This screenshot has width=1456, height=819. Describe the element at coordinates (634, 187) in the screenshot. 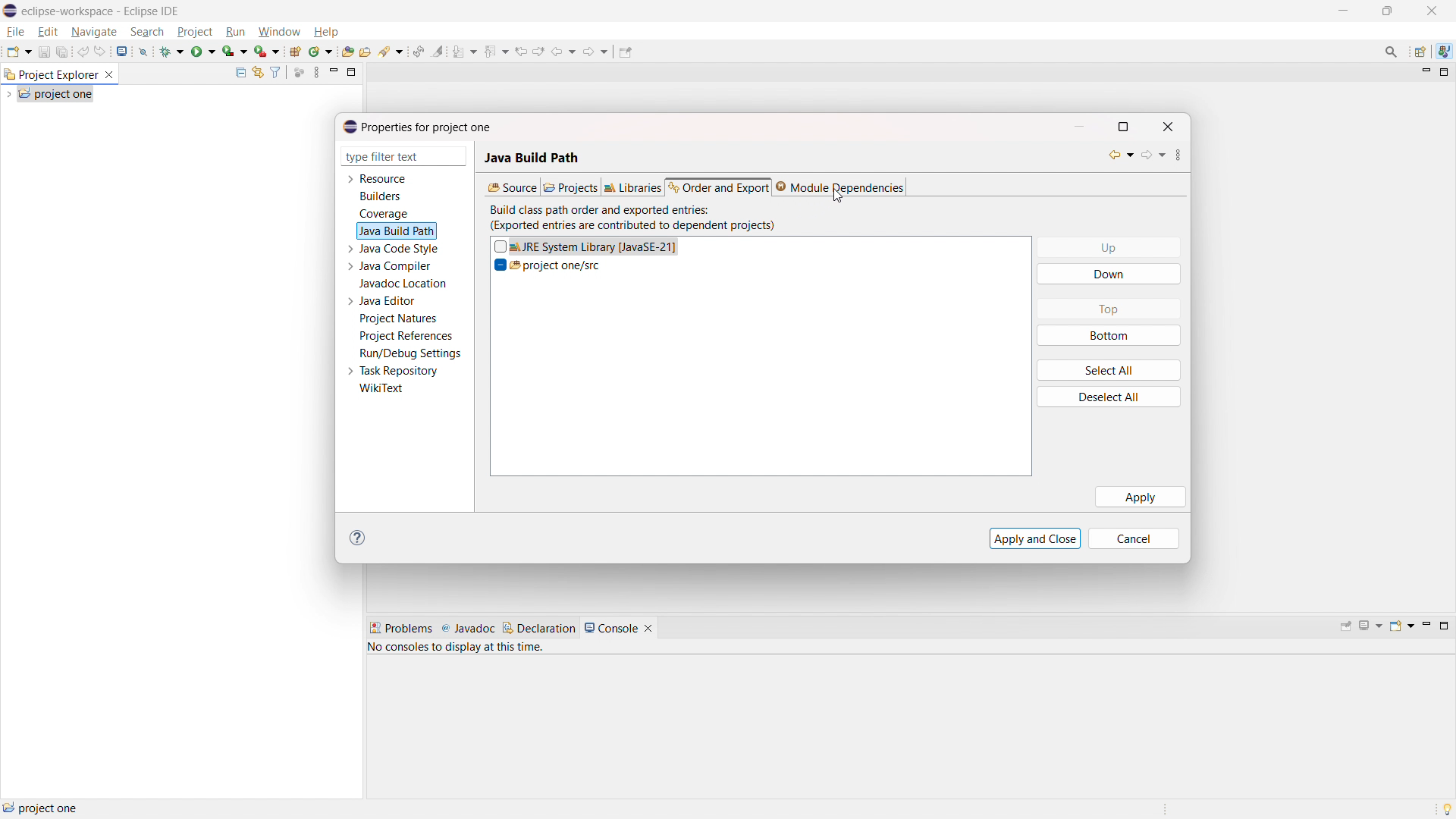

I see `libraries` at that location.